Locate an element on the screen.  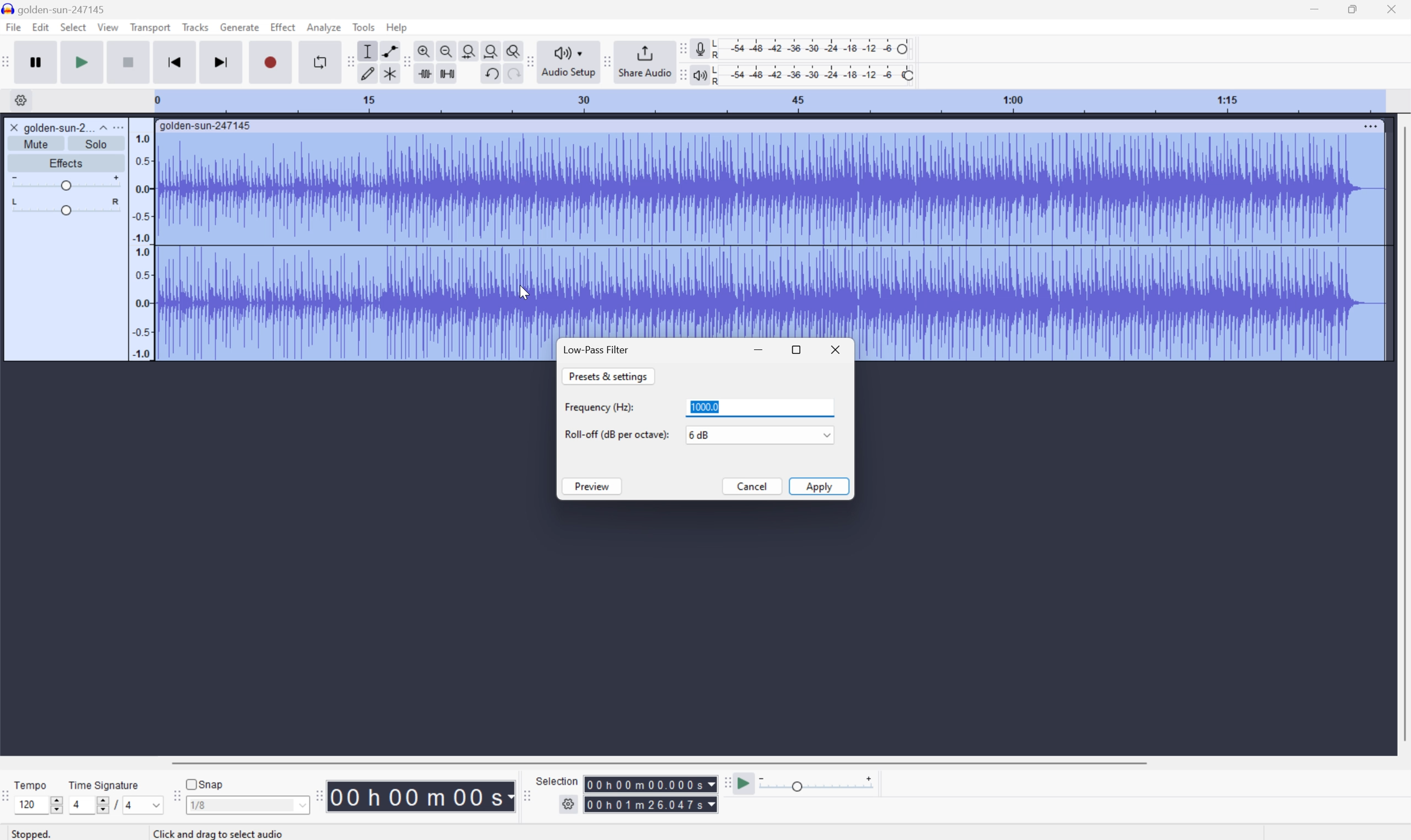
Draw tool is located at coordinates (368, 75).